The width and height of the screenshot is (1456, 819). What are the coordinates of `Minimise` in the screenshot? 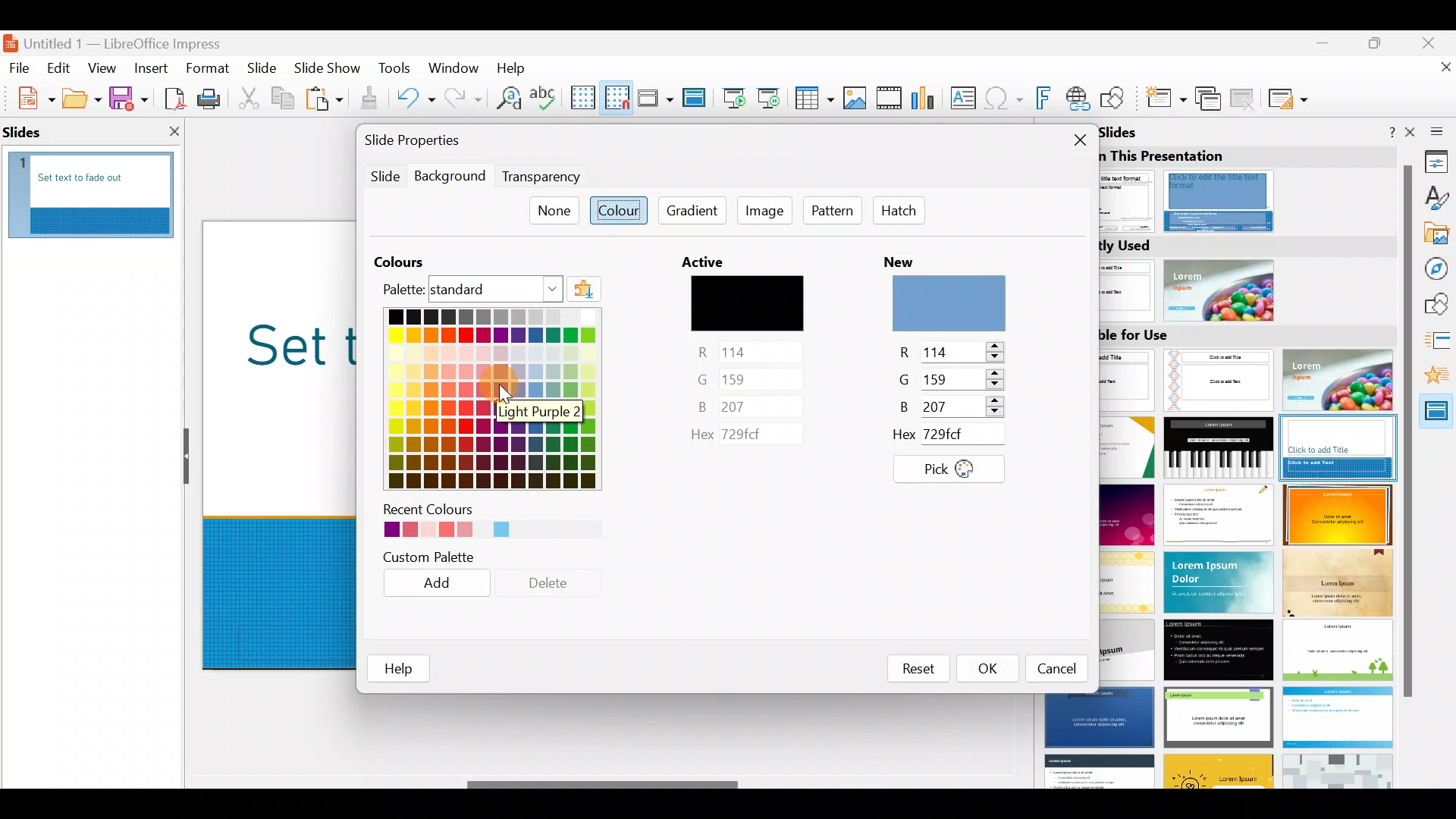 It's located at (1320, 50).